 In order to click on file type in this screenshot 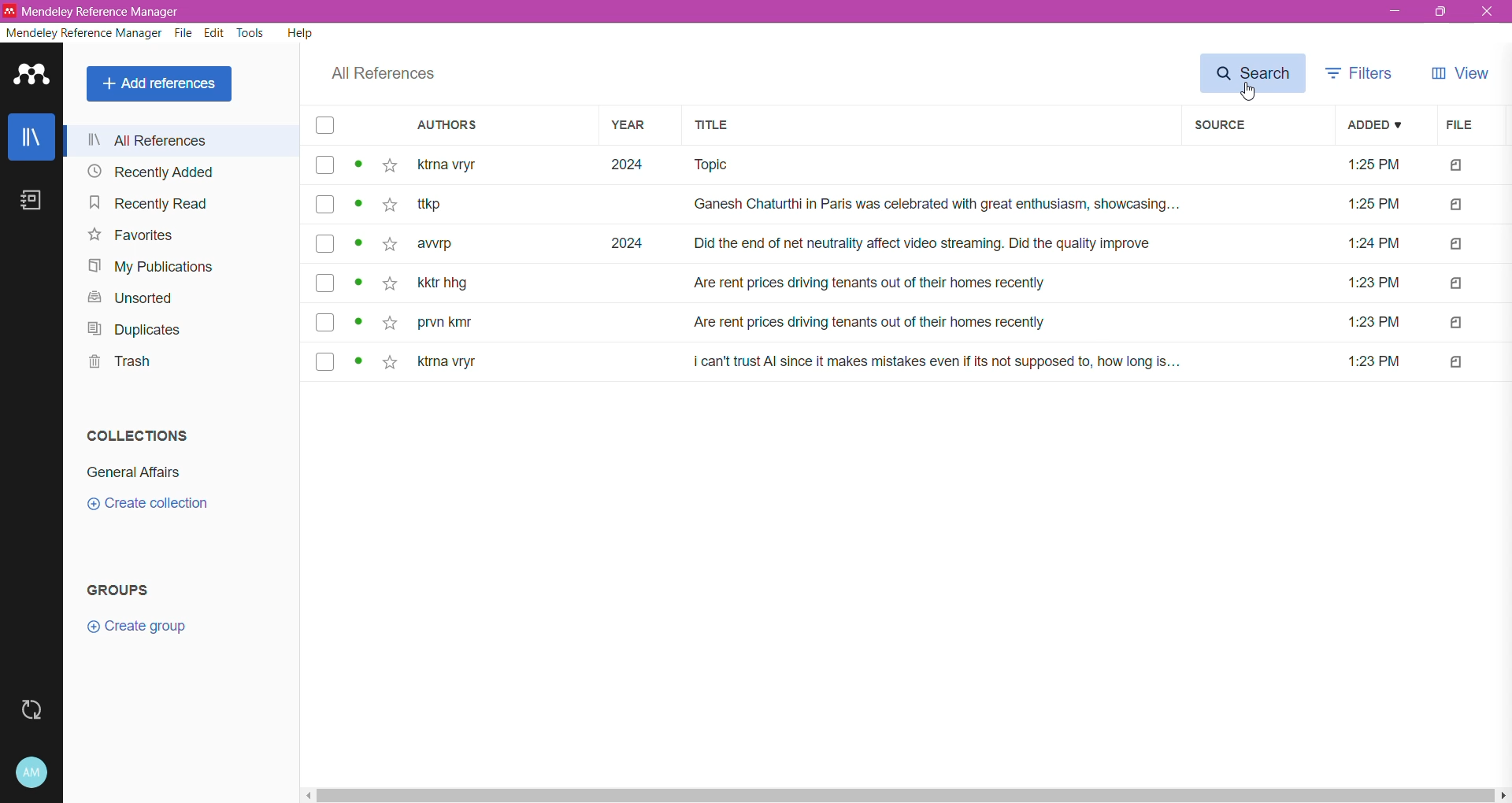, I will do `click(1458, 167)`.